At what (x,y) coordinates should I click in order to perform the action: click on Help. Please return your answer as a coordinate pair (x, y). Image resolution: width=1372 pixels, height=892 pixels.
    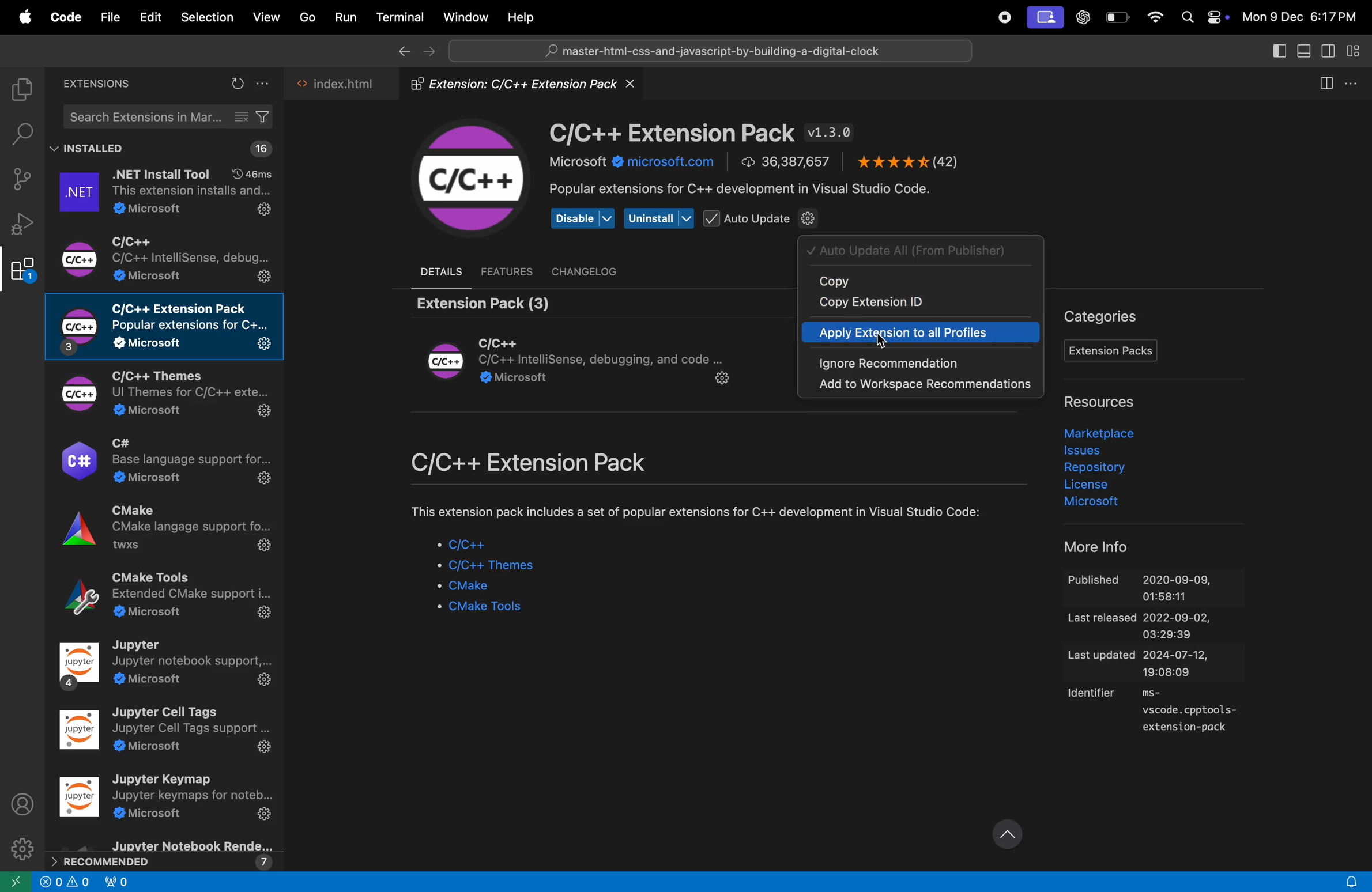
    Looking at the image, I should click on (519, 16).